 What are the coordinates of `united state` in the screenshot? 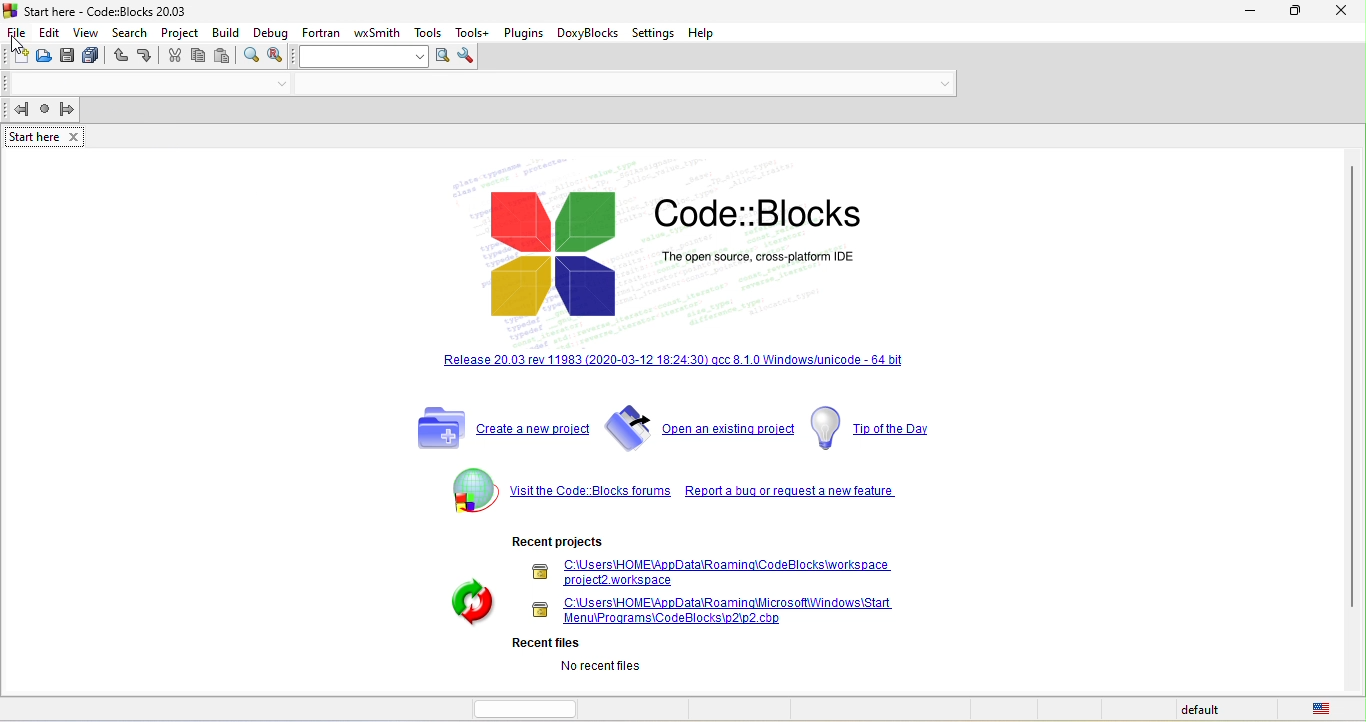 It's located at (1325, 709).